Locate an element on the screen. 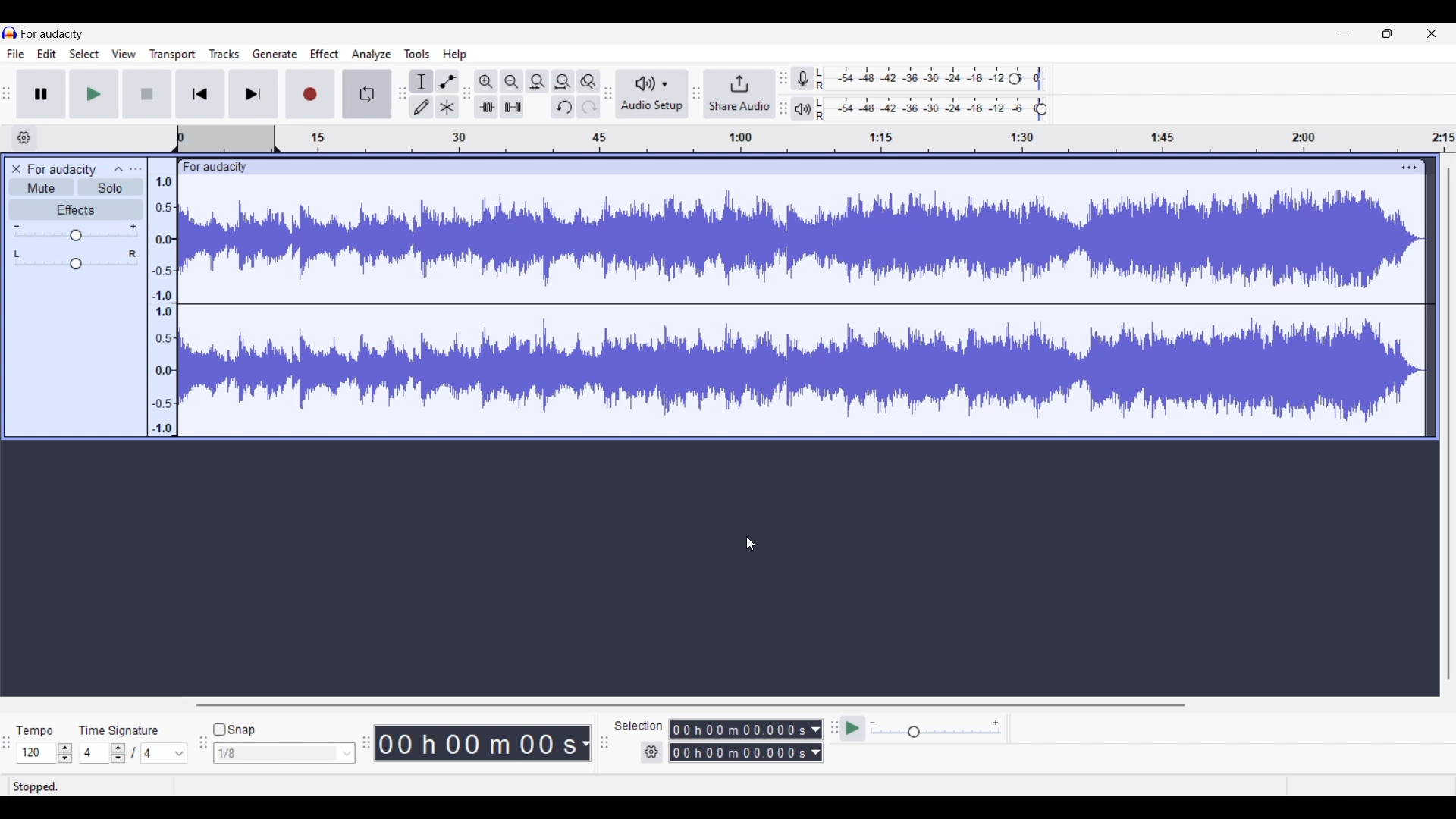  Selection is located at coordinates (639, 726).